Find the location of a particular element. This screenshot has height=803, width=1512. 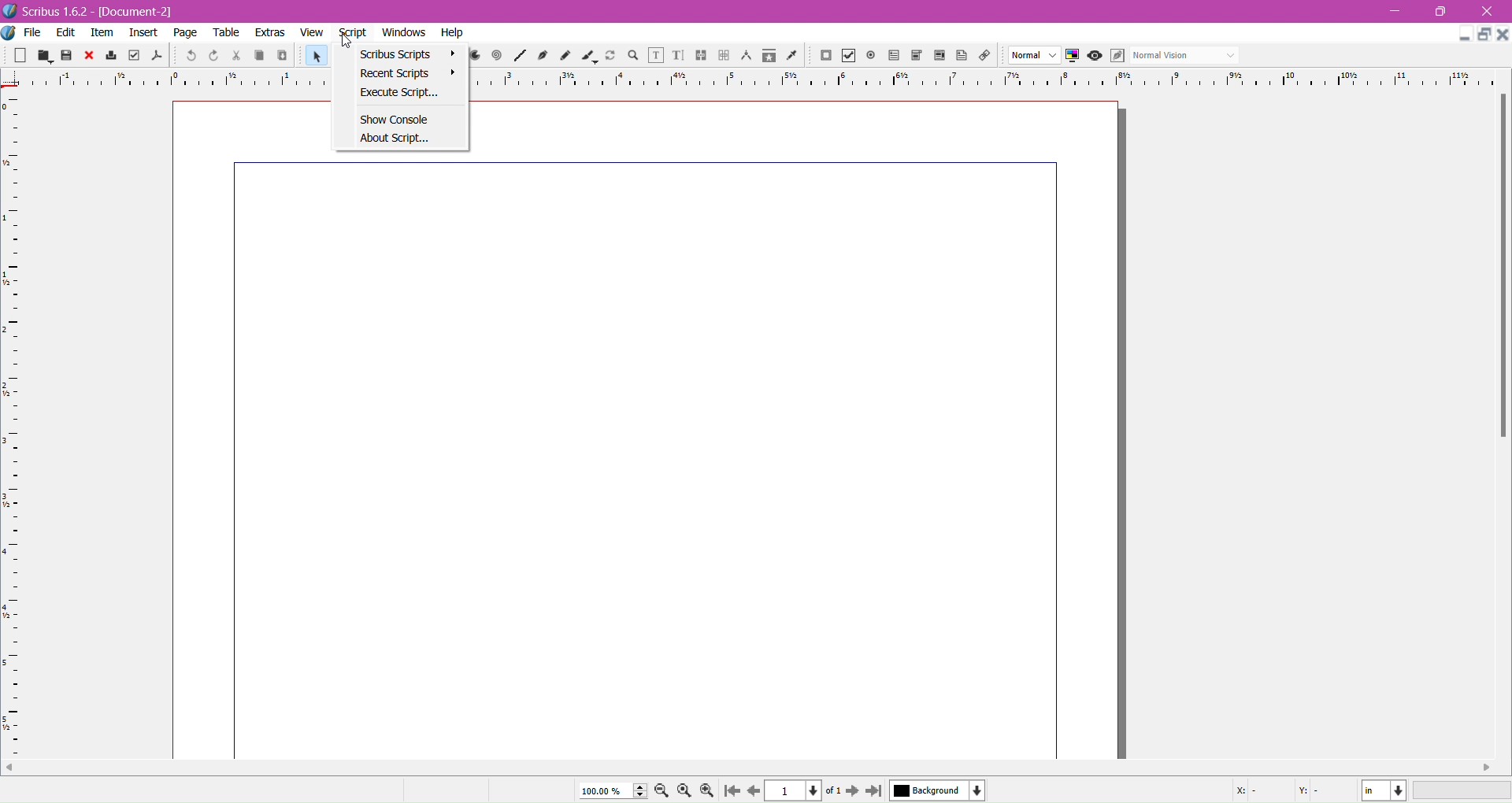

Measurements is located at coordinates (746, 54).